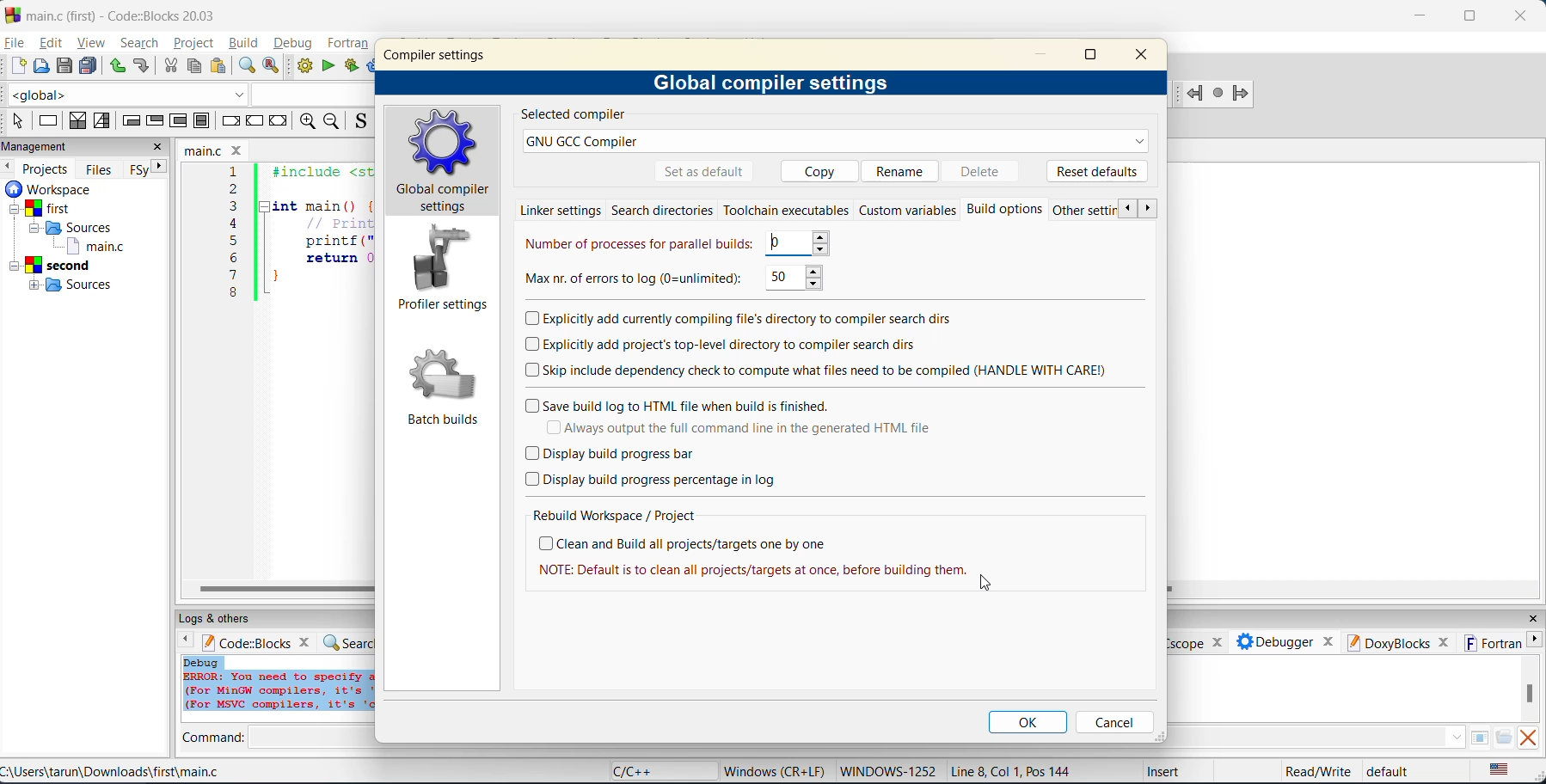 The height and width of the screenshot is (784, 1546). I want to click on save everything, so click(90, 66).